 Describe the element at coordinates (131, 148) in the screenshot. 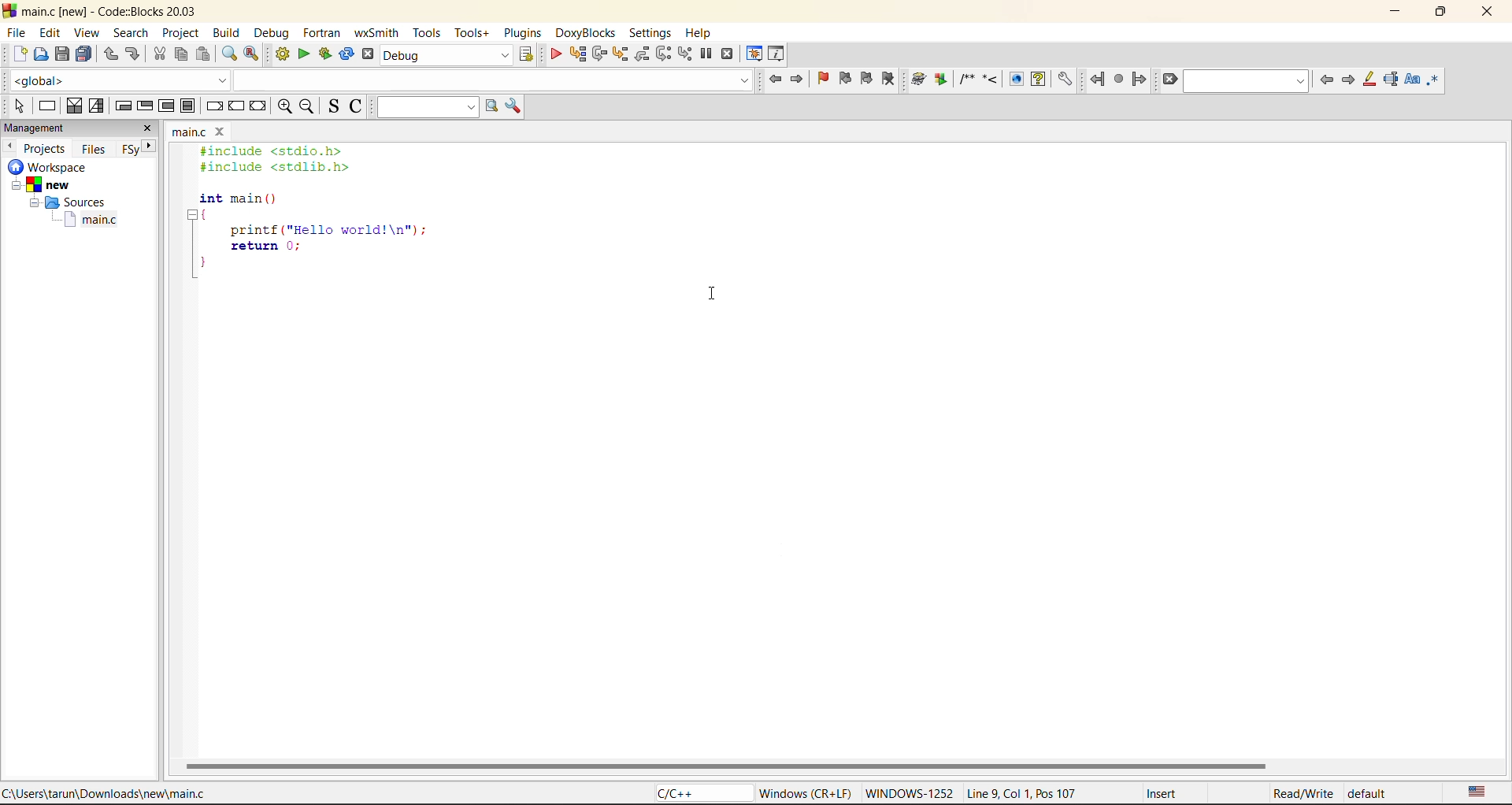

I see `FSy` at that location.